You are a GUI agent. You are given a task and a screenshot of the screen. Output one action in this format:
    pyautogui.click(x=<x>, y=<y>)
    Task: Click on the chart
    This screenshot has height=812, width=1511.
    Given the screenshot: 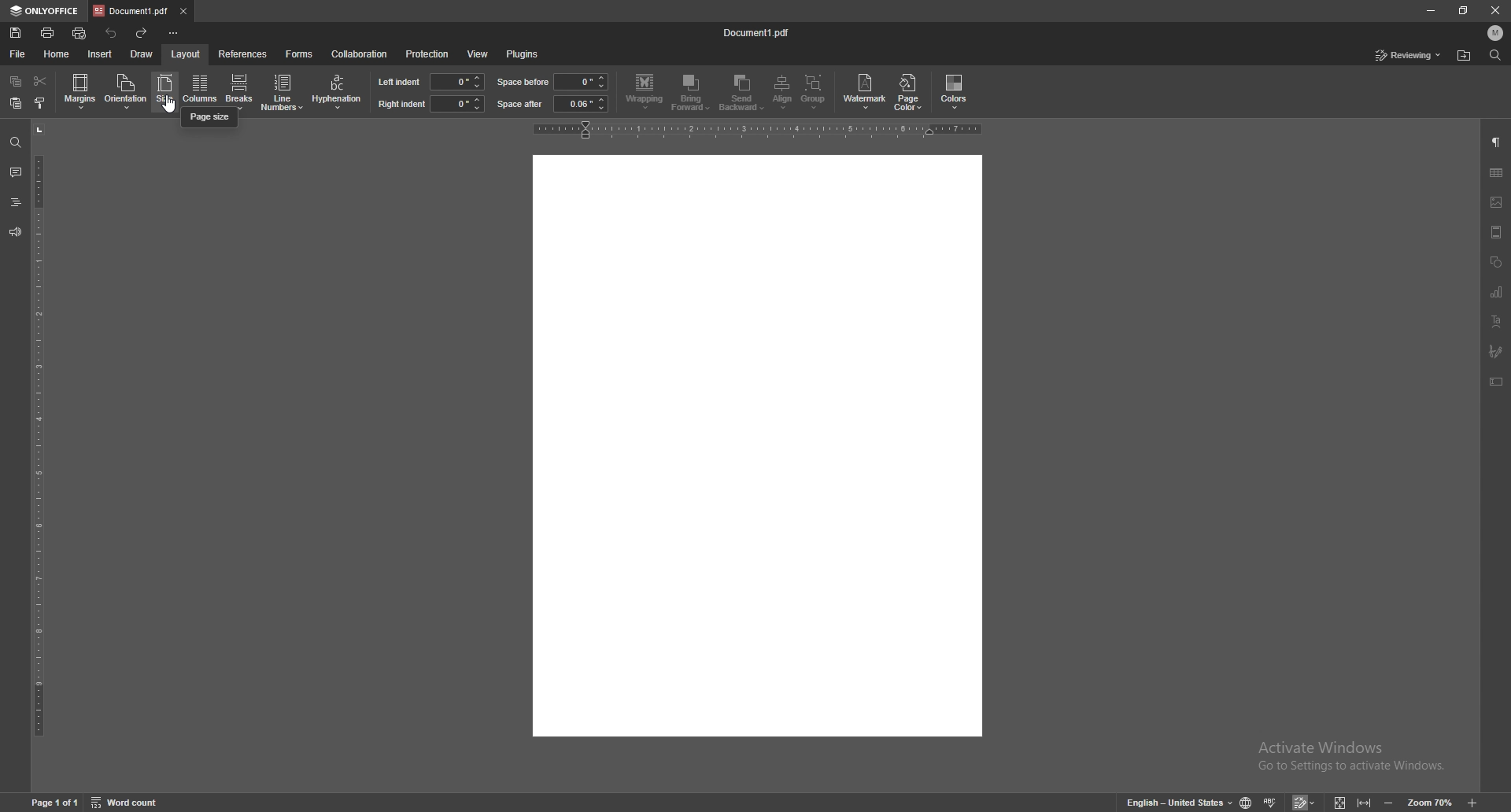 What is the action you would take?
    pyautogui.click(x=1498, y=292)
    